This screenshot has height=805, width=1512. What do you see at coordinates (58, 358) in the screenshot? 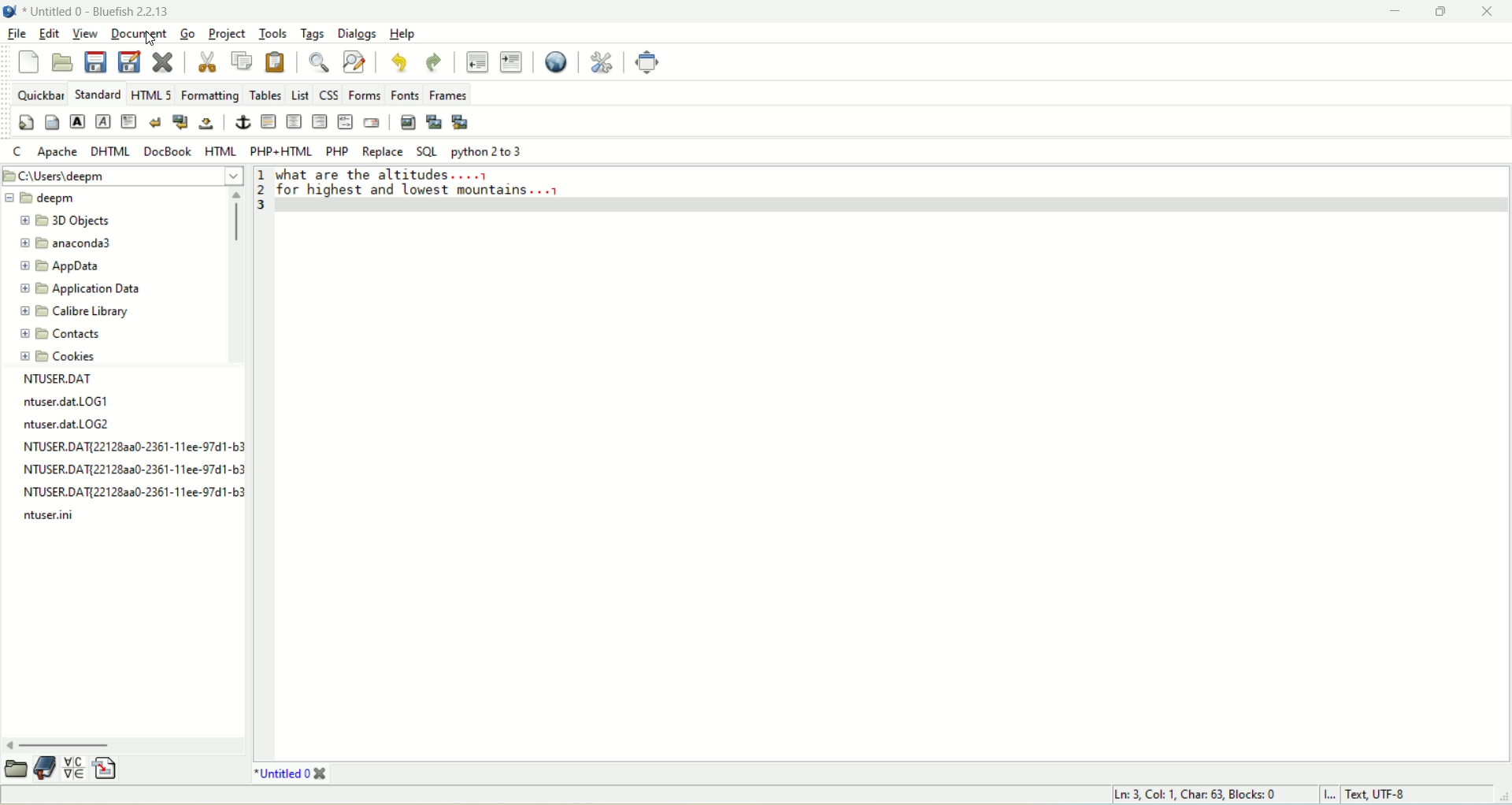
I see `cookies` at bounding box center [58, 358].